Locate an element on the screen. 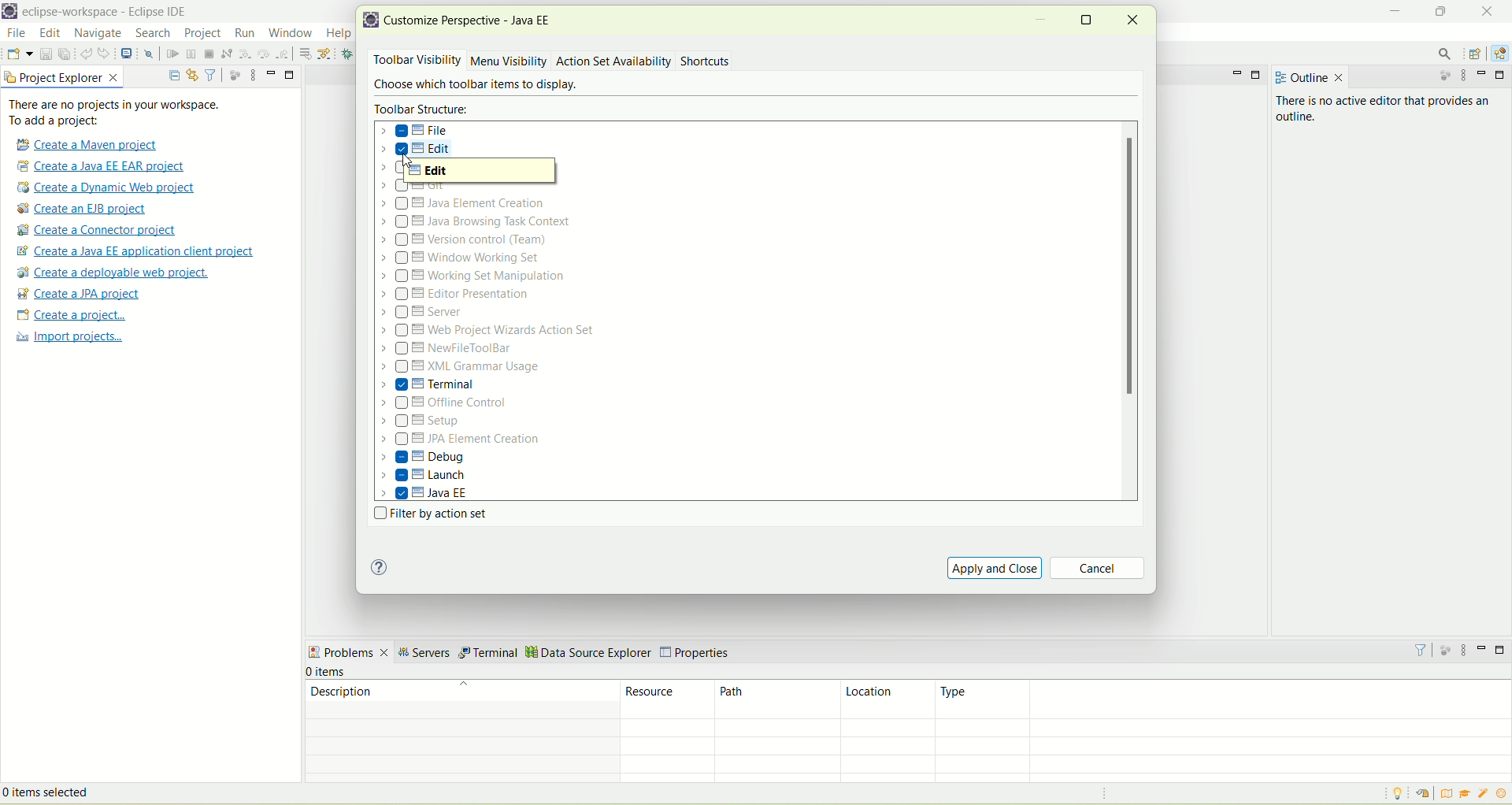  link with editor is located at coordinates (192, 74).